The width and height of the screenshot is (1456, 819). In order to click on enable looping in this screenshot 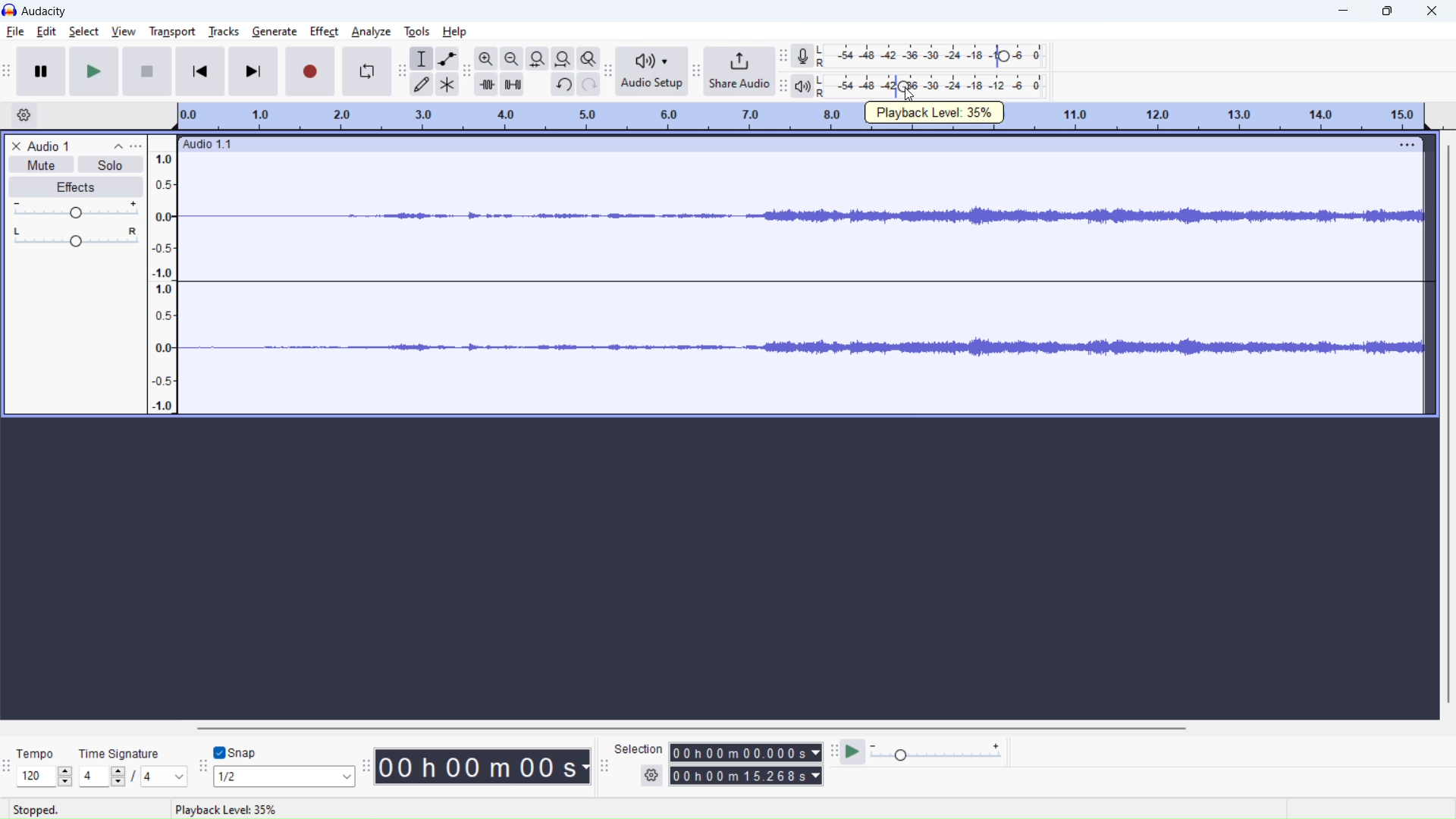, I will do `click(366, 72)`.